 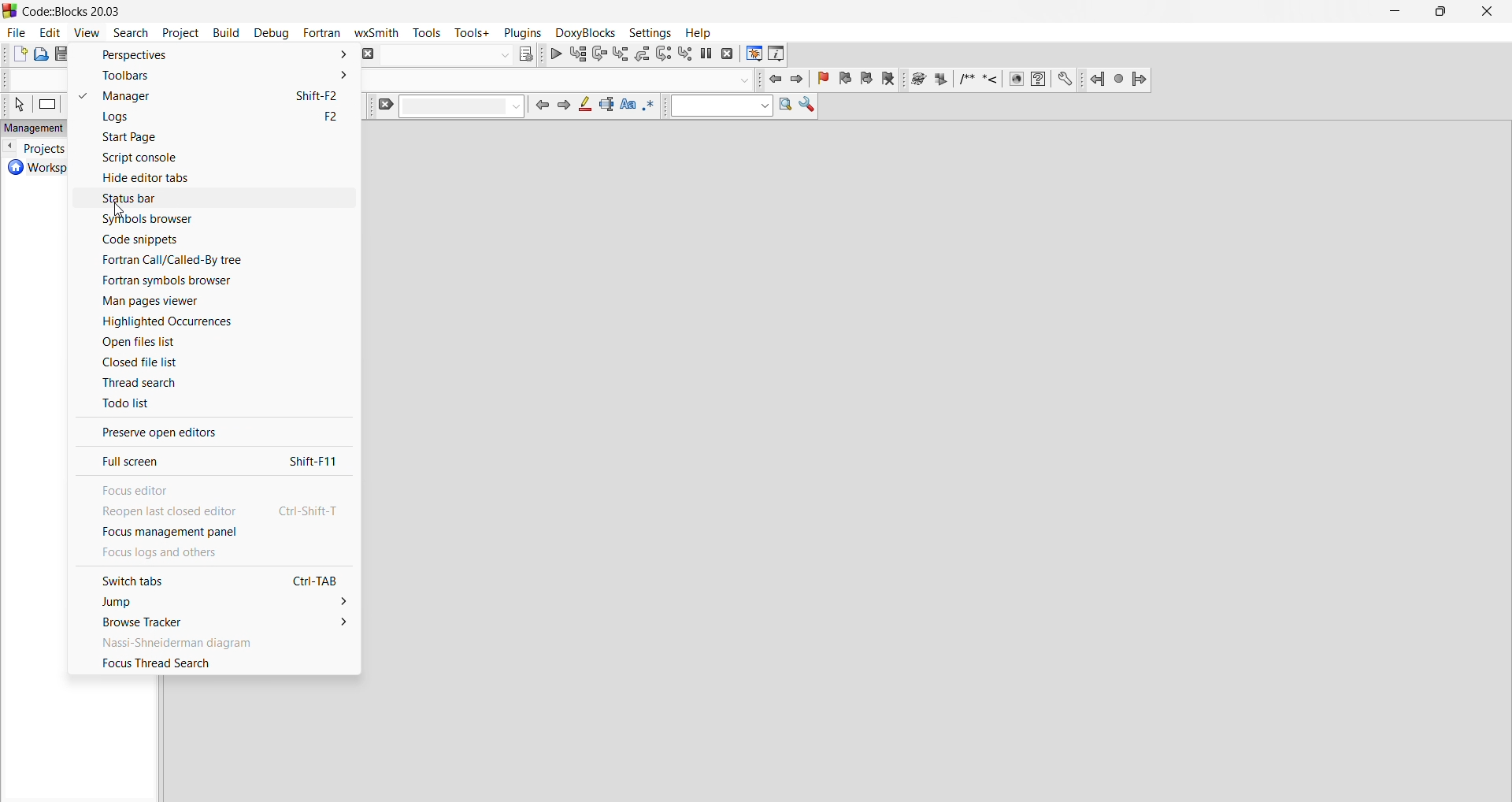 What do you see at coordinates (214, 486) in the screenshot?
I see `focus editor` at bounding box center [214, 486].